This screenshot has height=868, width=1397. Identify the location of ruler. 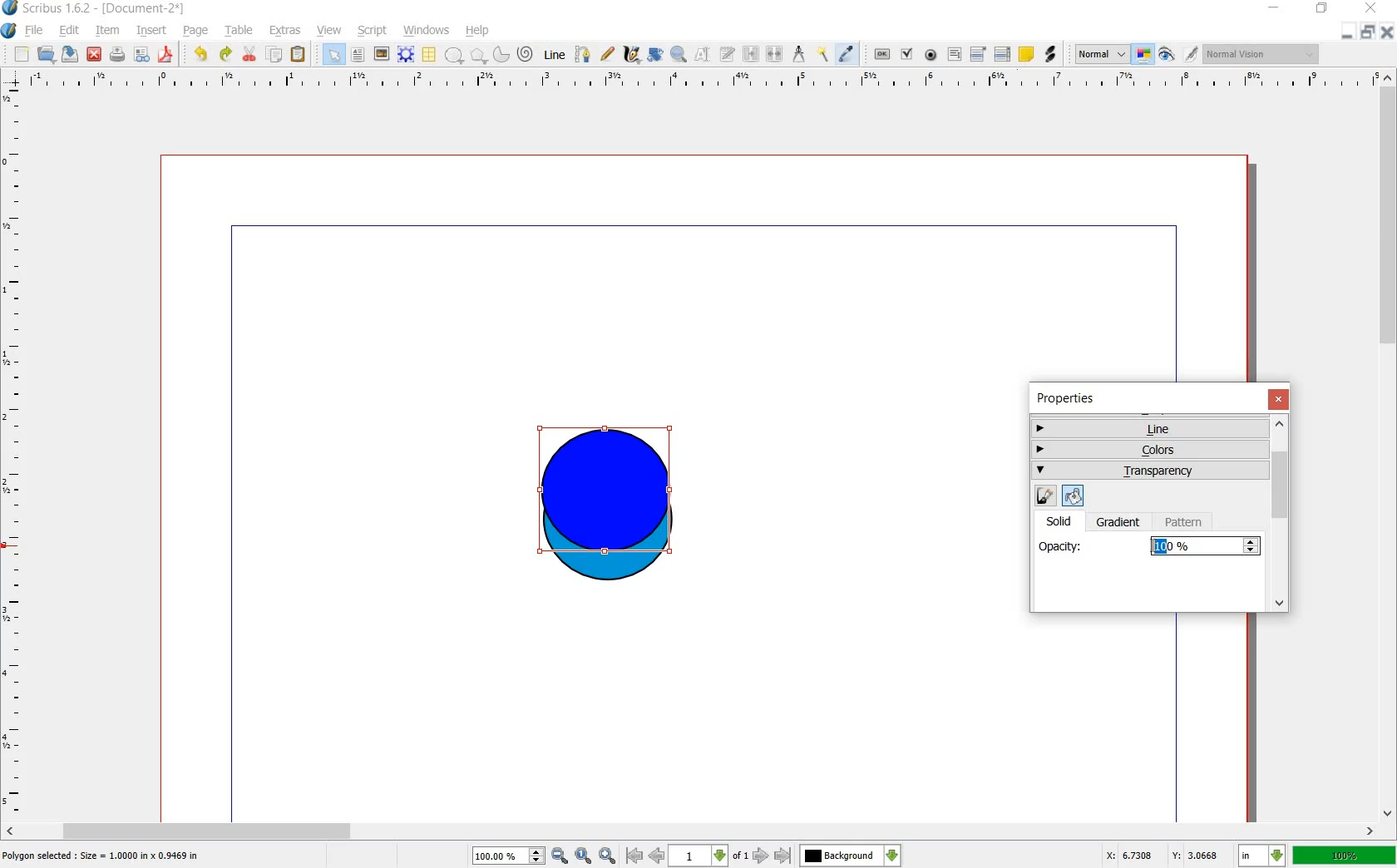
(13, 451).